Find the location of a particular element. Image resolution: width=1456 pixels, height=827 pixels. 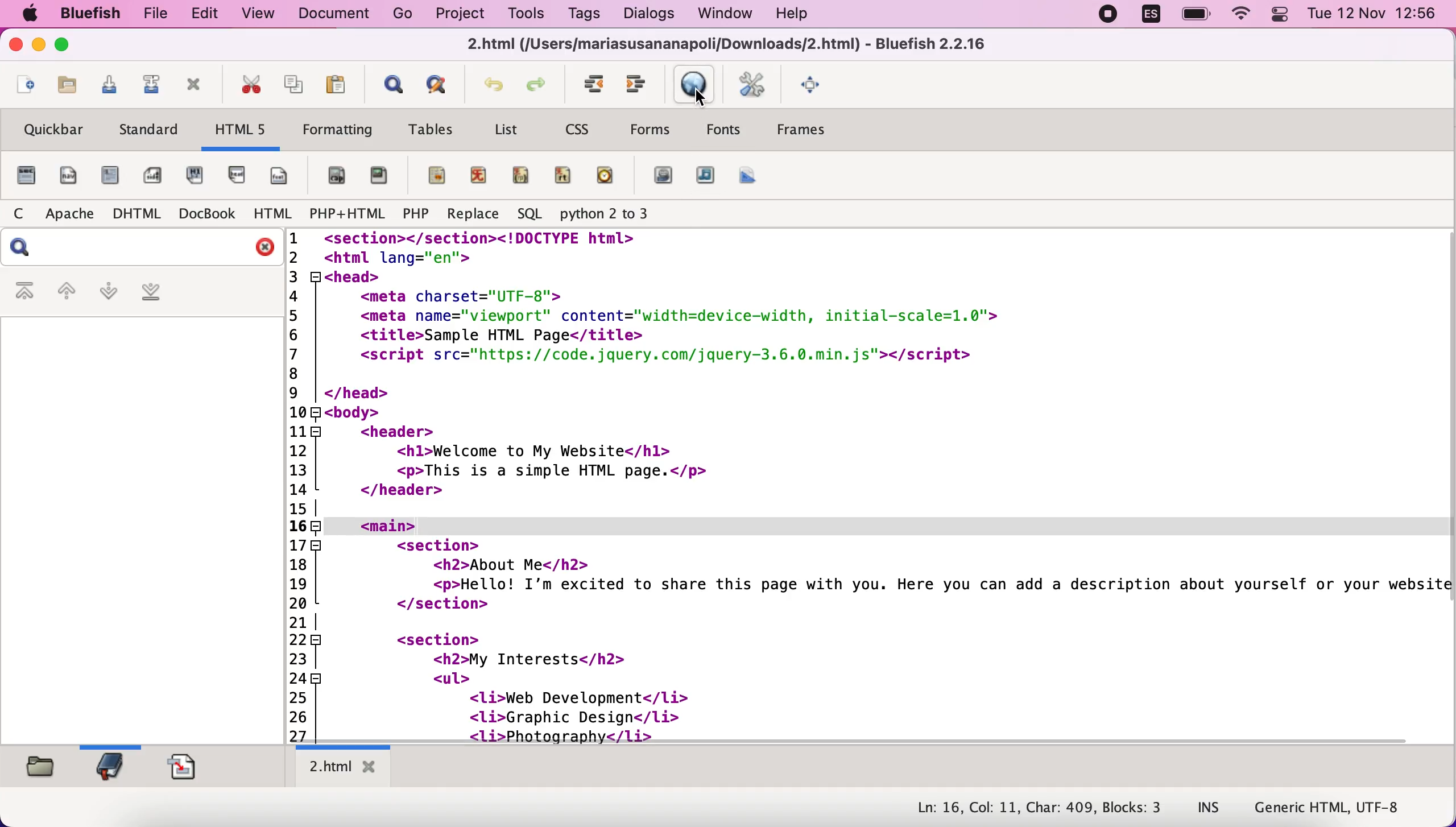

panel control is located at coordinates (1277, 18).